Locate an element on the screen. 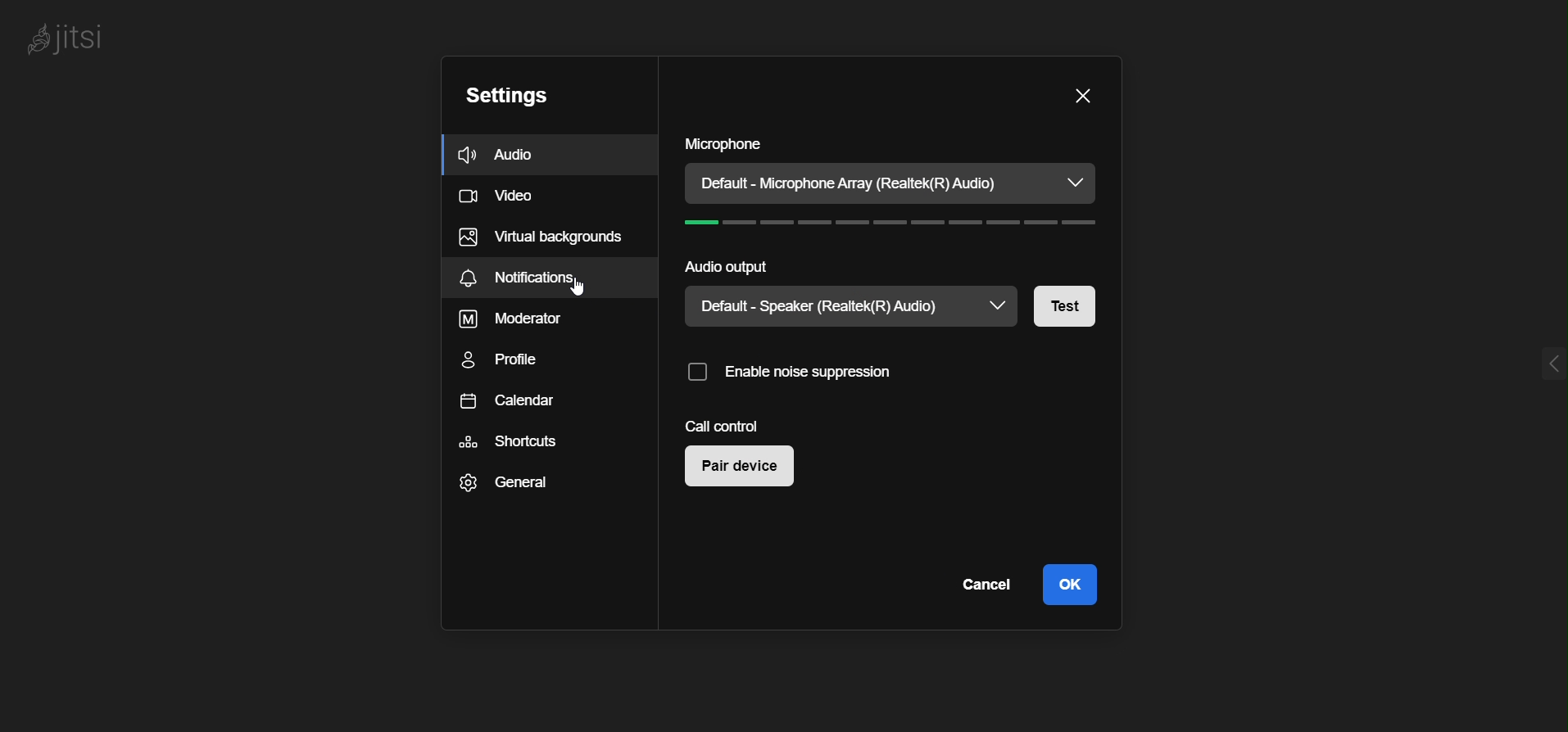 This screenshot has width=1568, height=732. microphone dropdown is located at coordinates (1081, 180).